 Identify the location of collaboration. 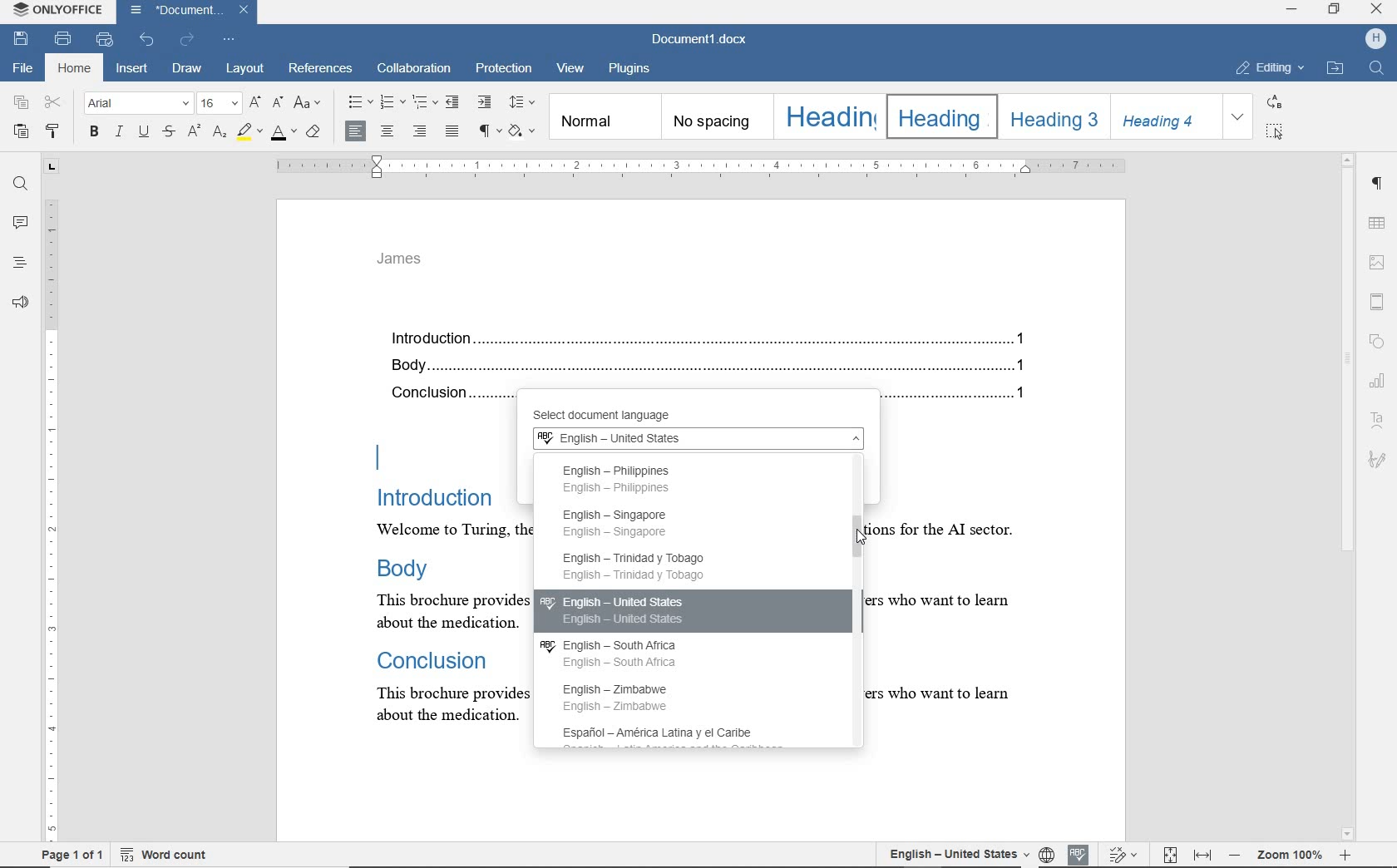
(415, 70).